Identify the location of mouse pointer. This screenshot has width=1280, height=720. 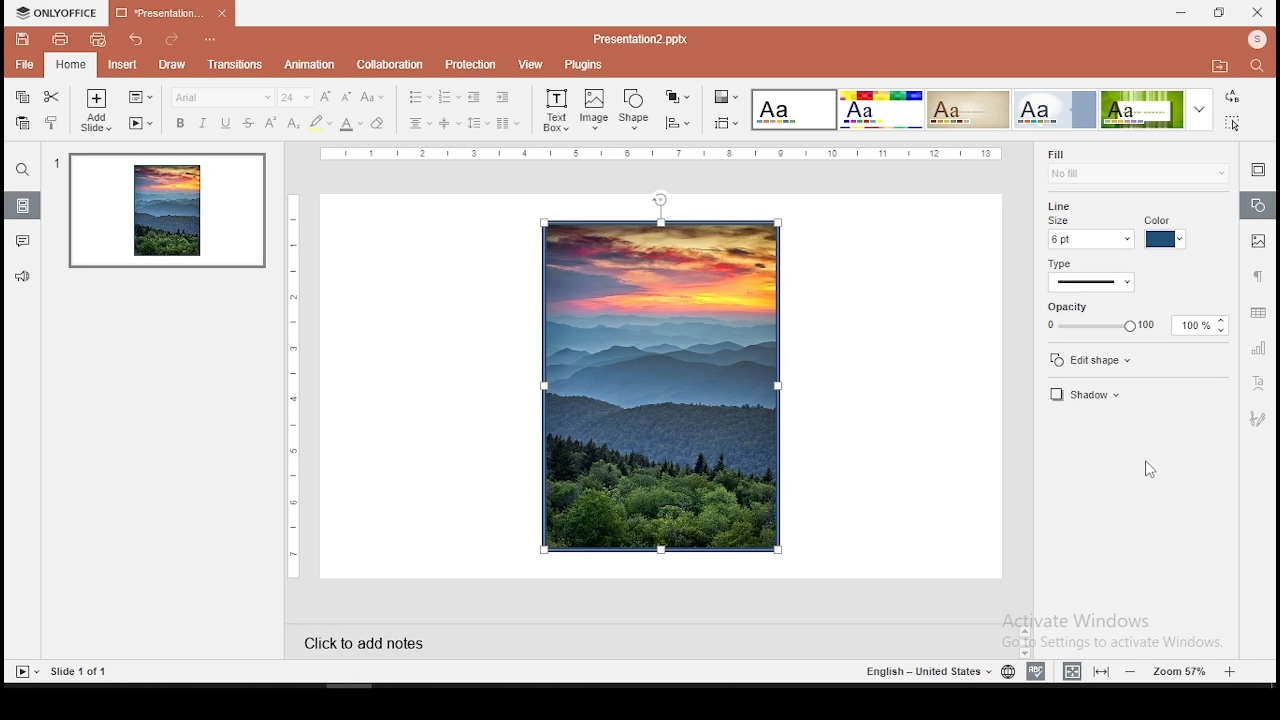
(1148, 470).